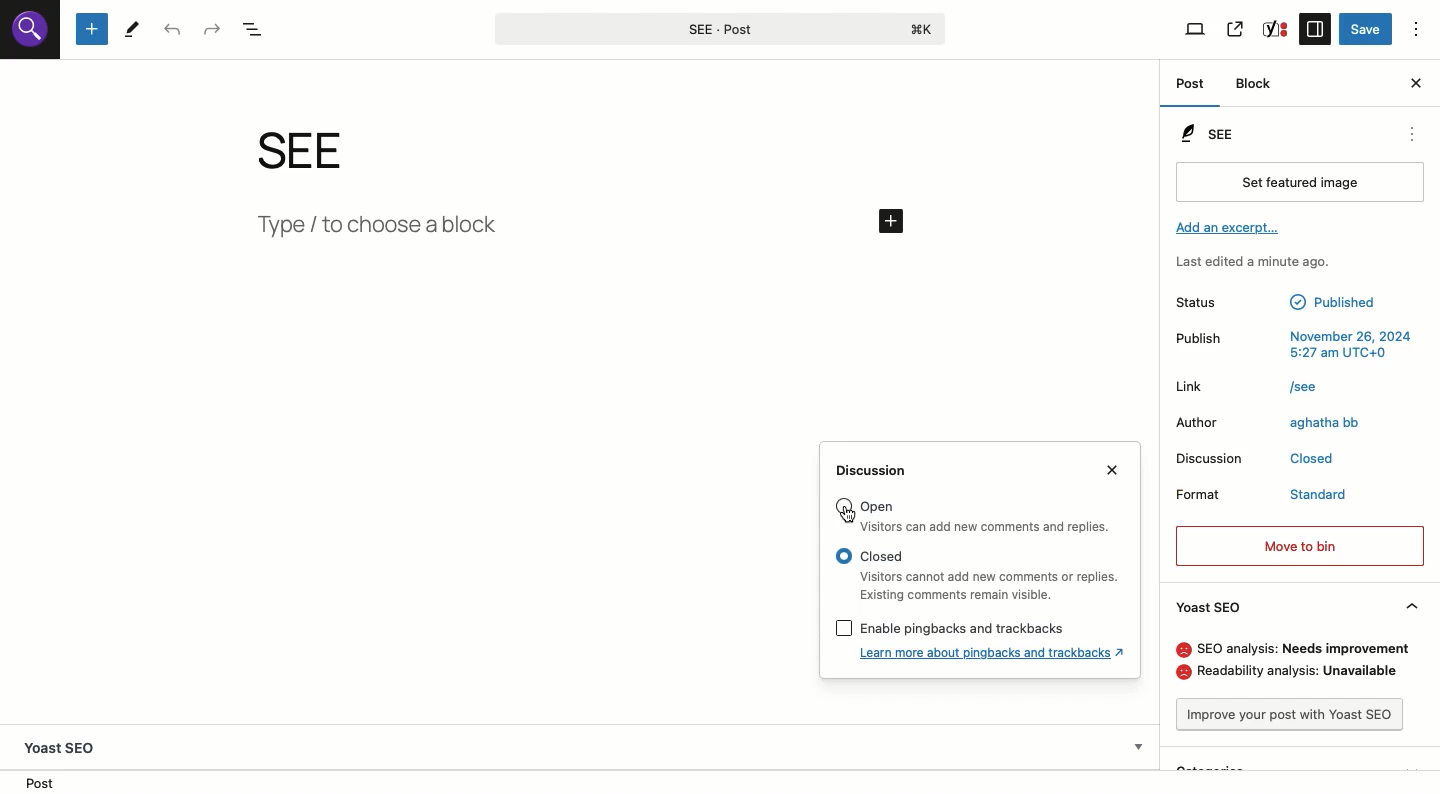 This screenshot has height=794, width=1440. Describe the element at coordinates (1190, 83) in the screenshot. I see `Post` at that location.